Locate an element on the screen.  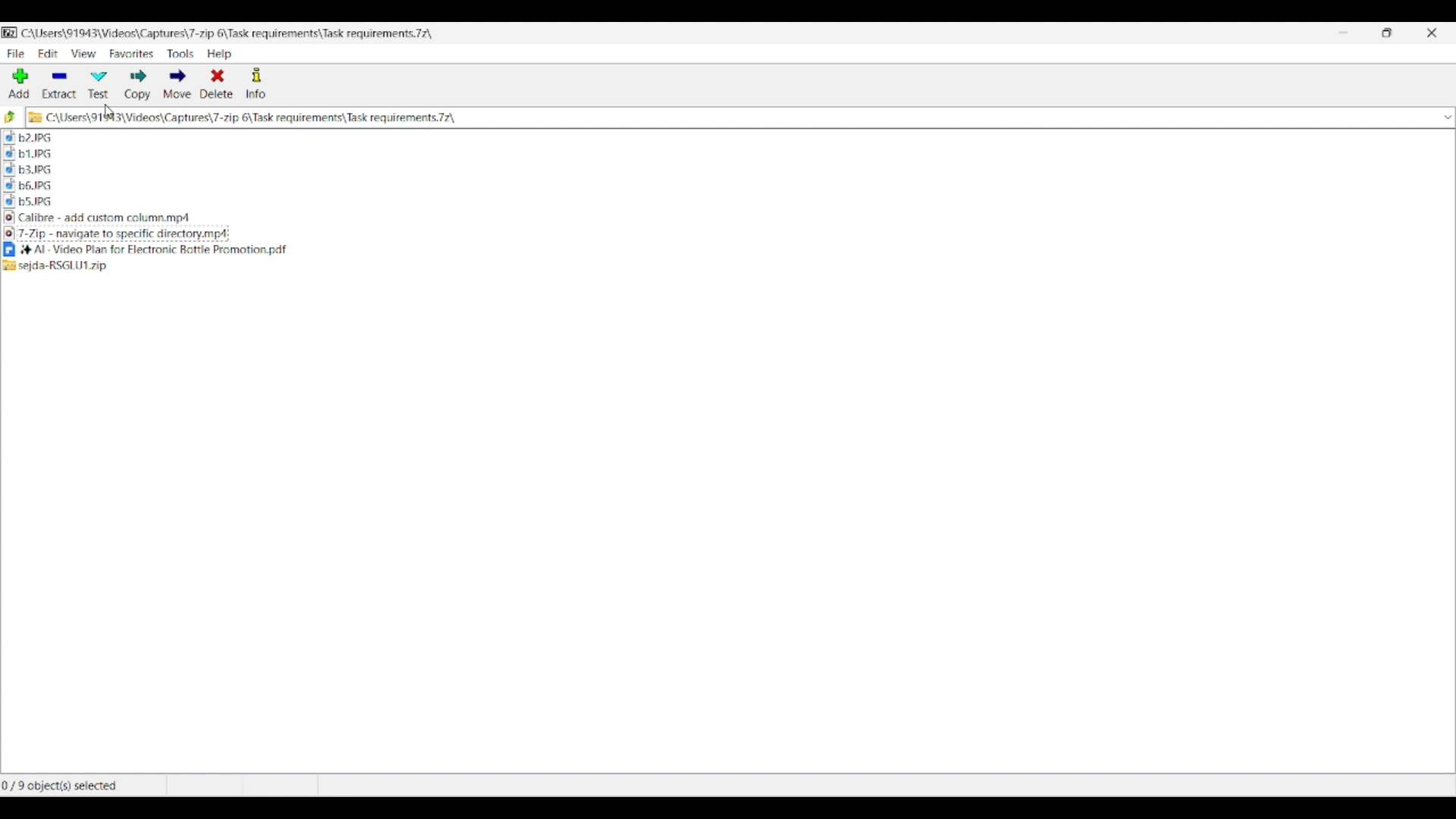
View menu is located at coordinates (83, 53).